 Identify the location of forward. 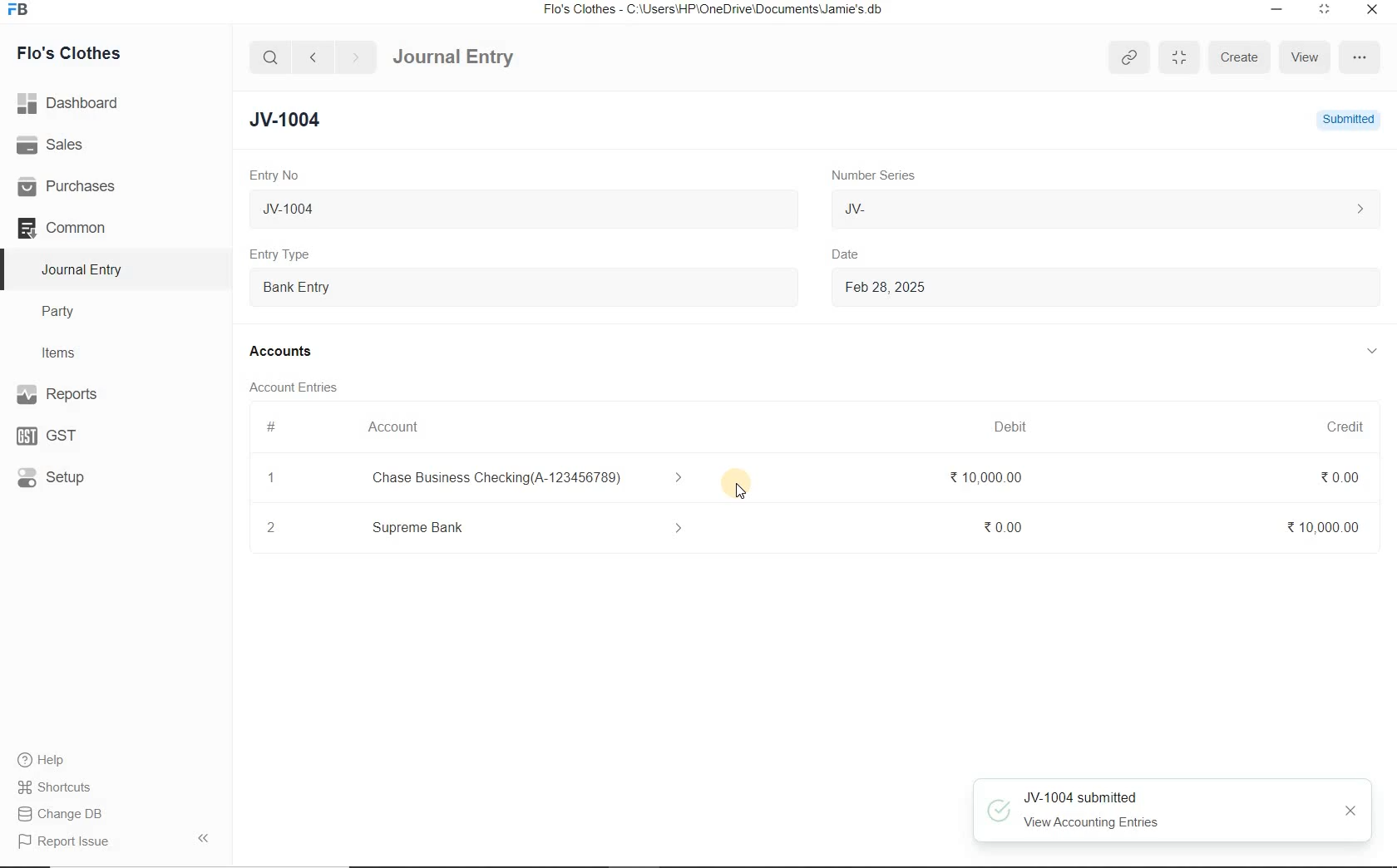
(357, 57).